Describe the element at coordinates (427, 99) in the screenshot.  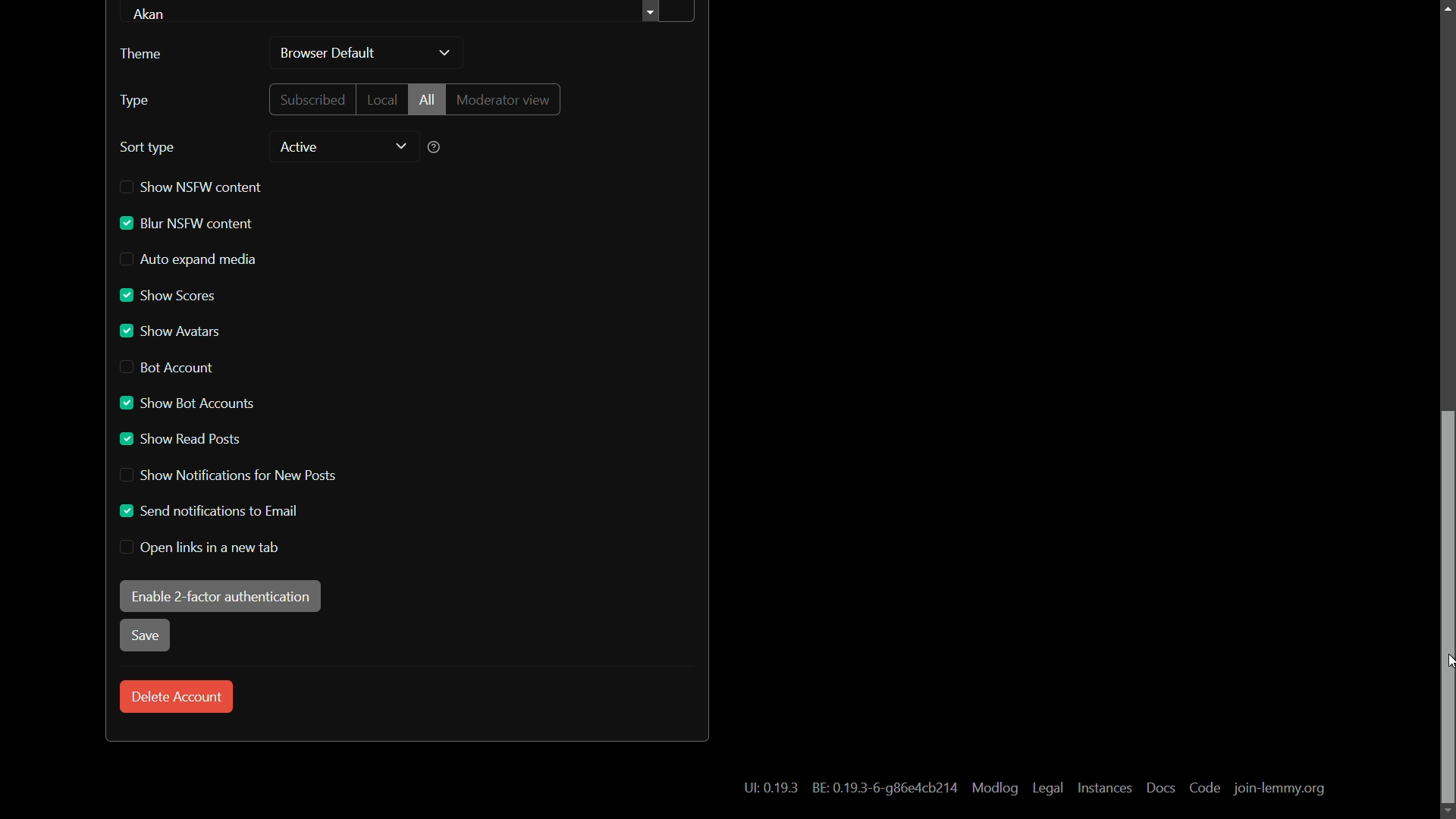
I see `all` at that location.